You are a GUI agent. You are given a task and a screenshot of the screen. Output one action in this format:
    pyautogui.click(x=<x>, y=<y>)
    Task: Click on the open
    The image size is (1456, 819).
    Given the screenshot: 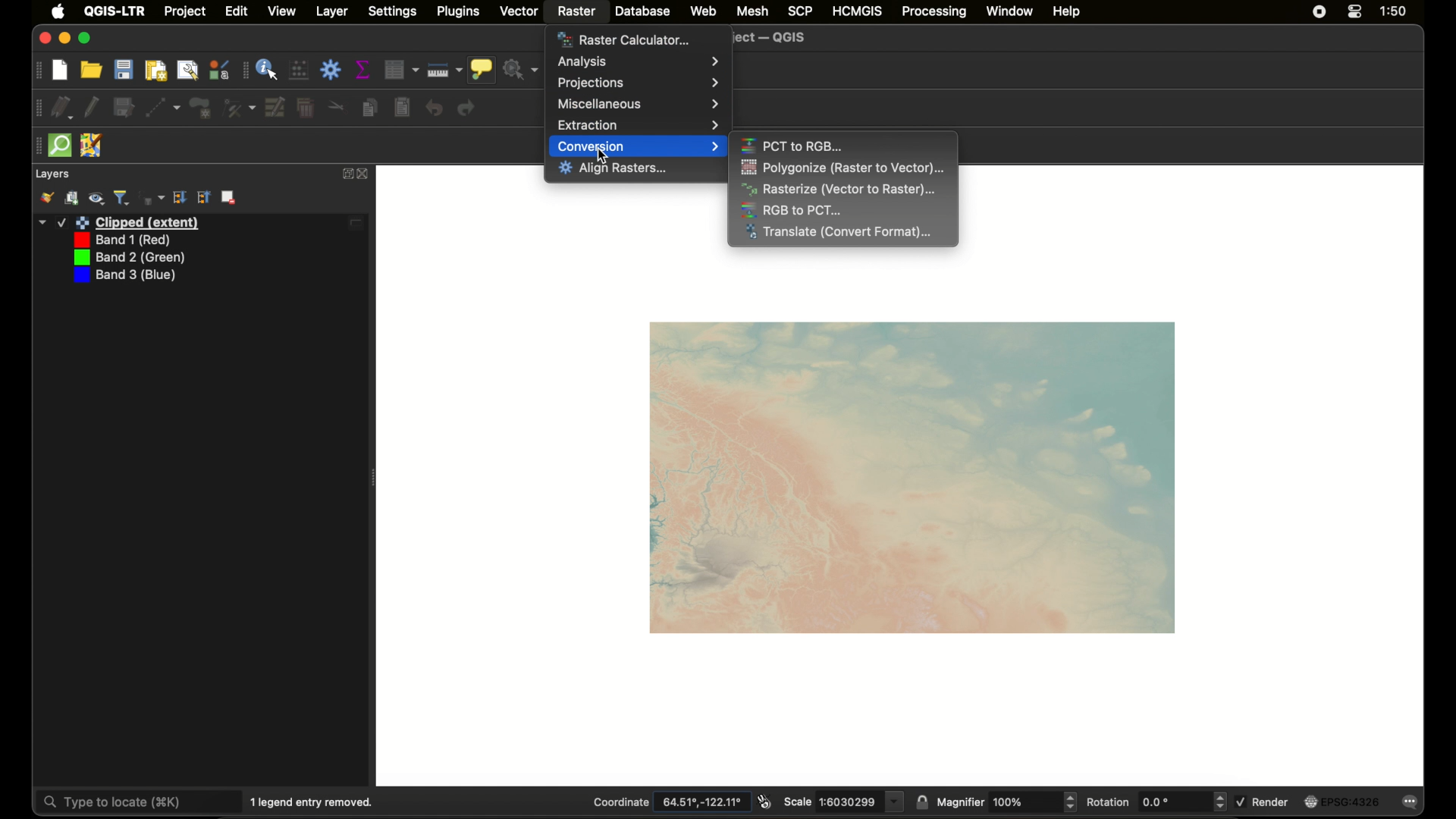 What is the action you would take?
    pyautogui.click(x=91, y=69)
    